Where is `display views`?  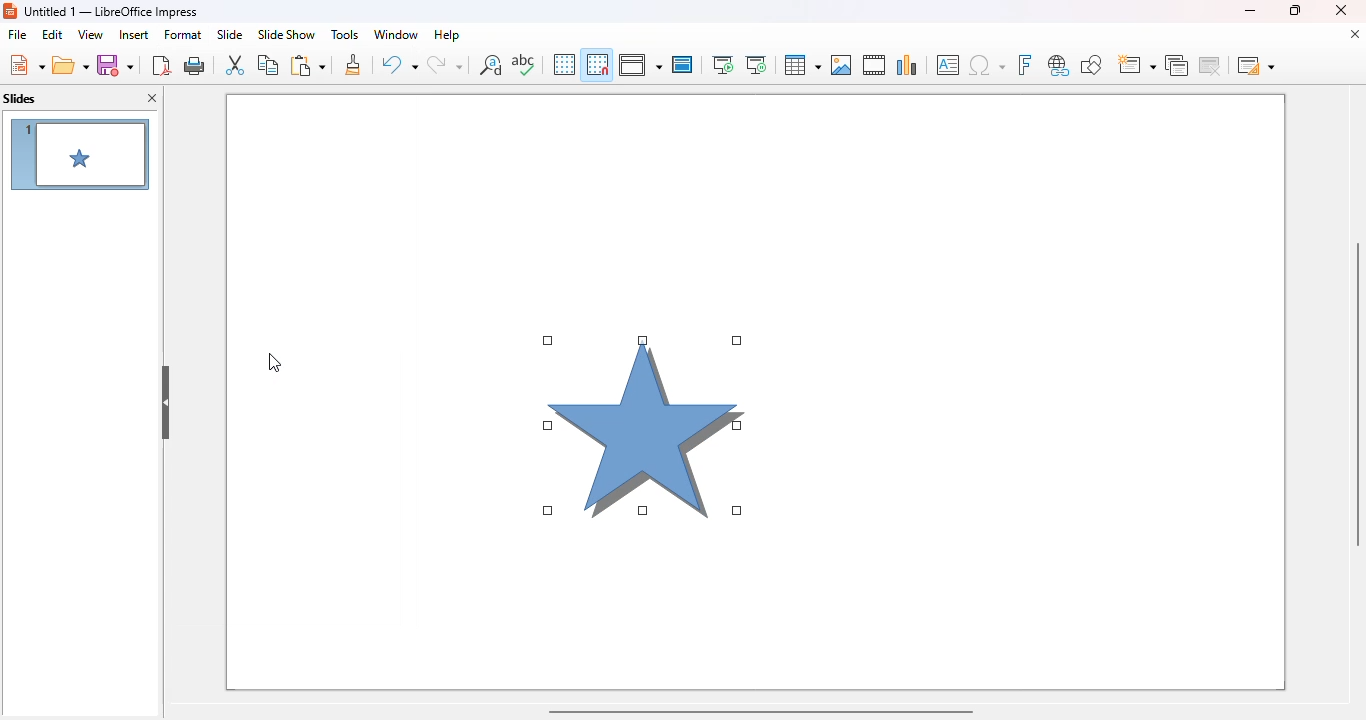
display views is located at coordinates (640, 65).